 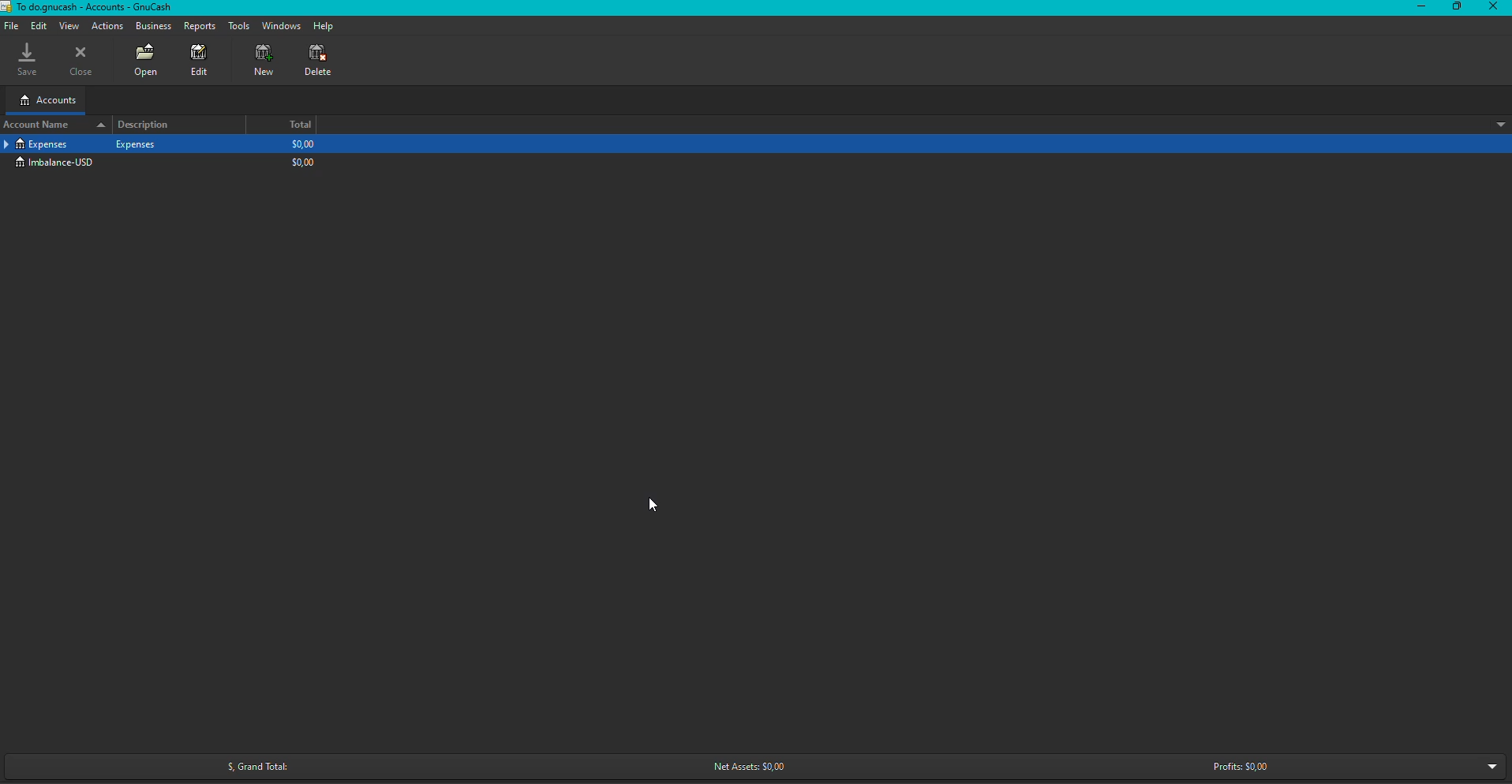 I want to click on Close, so click(x=1493, y=7).